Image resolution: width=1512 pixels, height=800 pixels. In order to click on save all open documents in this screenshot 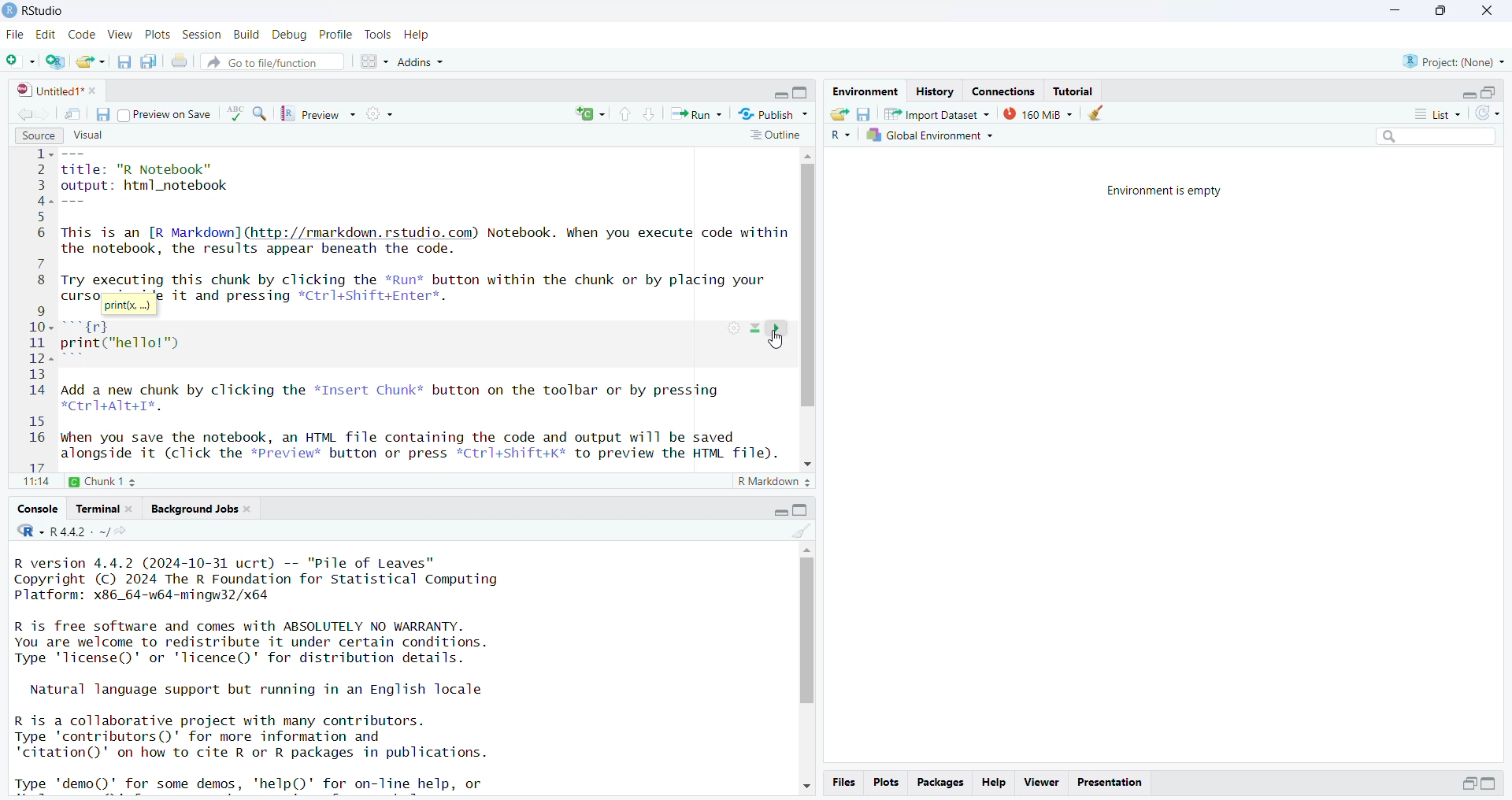, I will do `click(150, 61)`.